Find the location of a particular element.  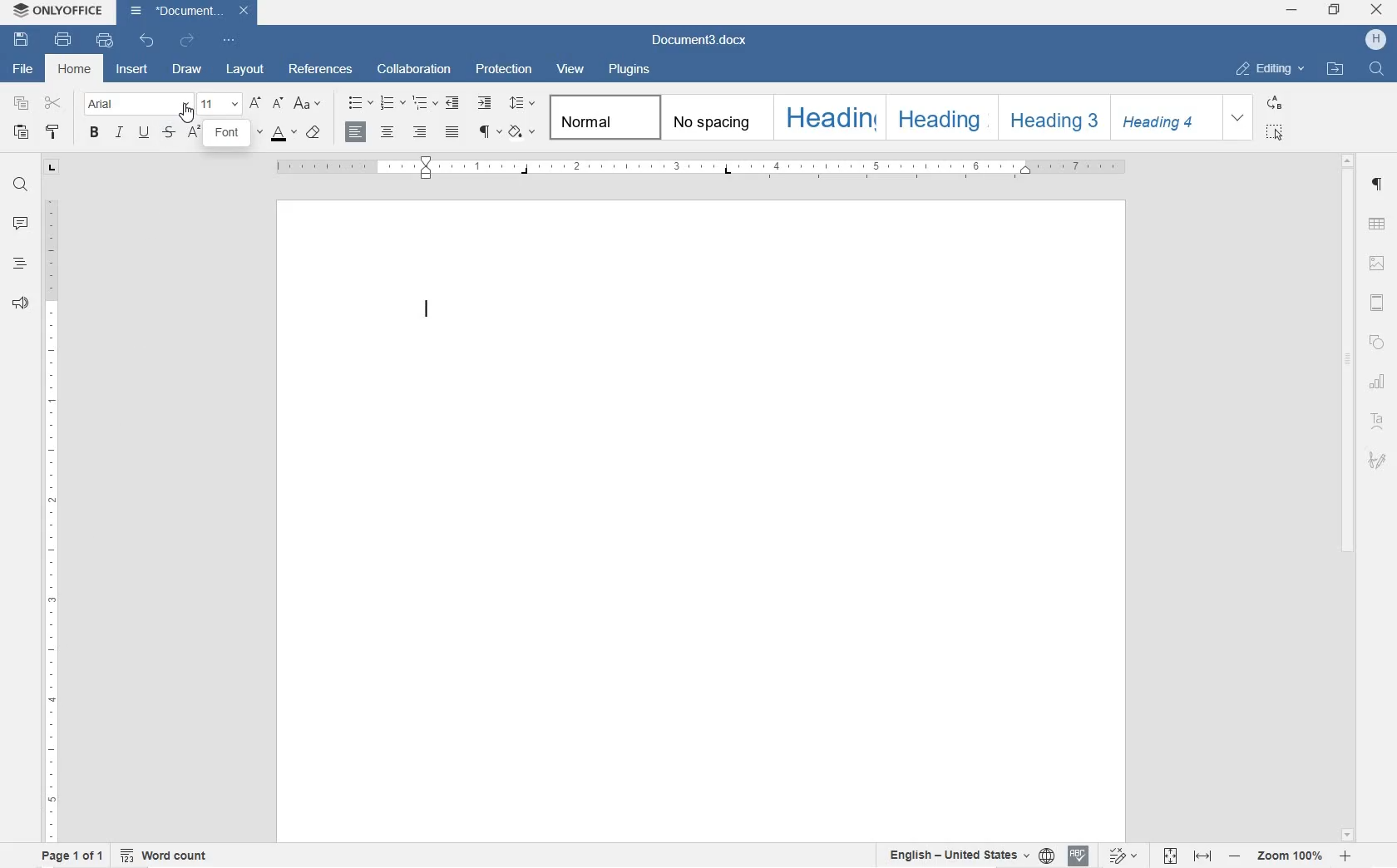

TEXT ART is located at coordinates (1378, 421).